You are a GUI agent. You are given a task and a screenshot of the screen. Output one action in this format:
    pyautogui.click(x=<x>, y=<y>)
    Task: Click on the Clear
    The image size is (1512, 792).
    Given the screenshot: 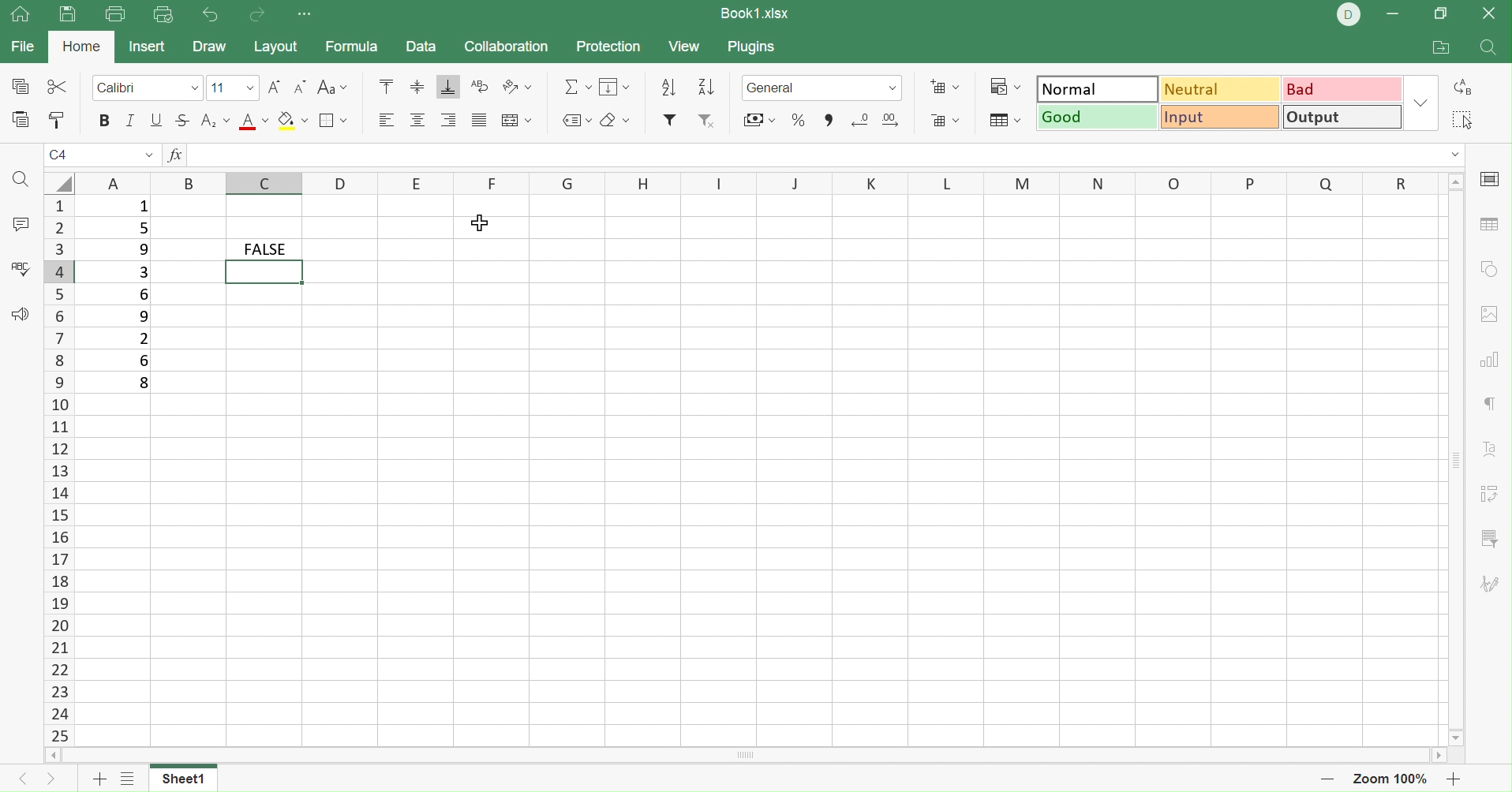 What is the action you would take?
    pyautogui.click(x=615, y=119)
    